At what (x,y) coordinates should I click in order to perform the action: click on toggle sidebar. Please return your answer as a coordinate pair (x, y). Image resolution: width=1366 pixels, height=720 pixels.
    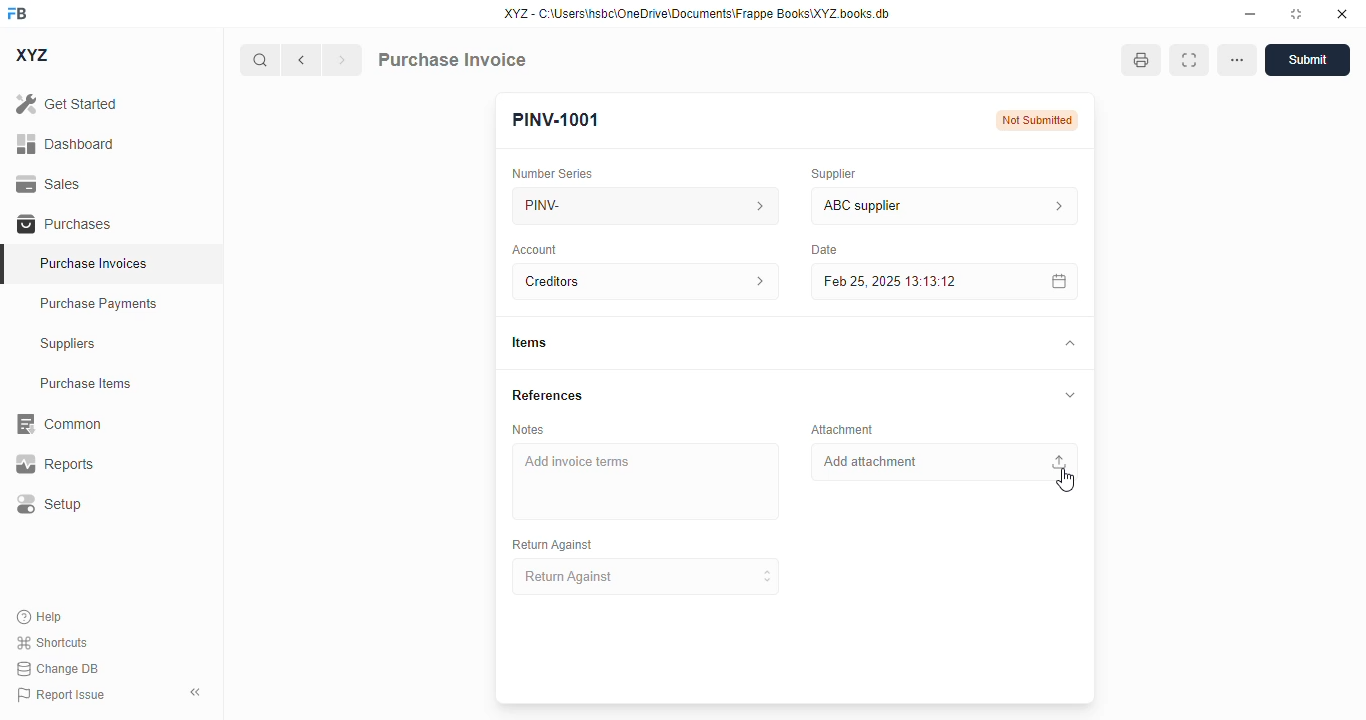
    Looking at the image, I should click on (198, 692).